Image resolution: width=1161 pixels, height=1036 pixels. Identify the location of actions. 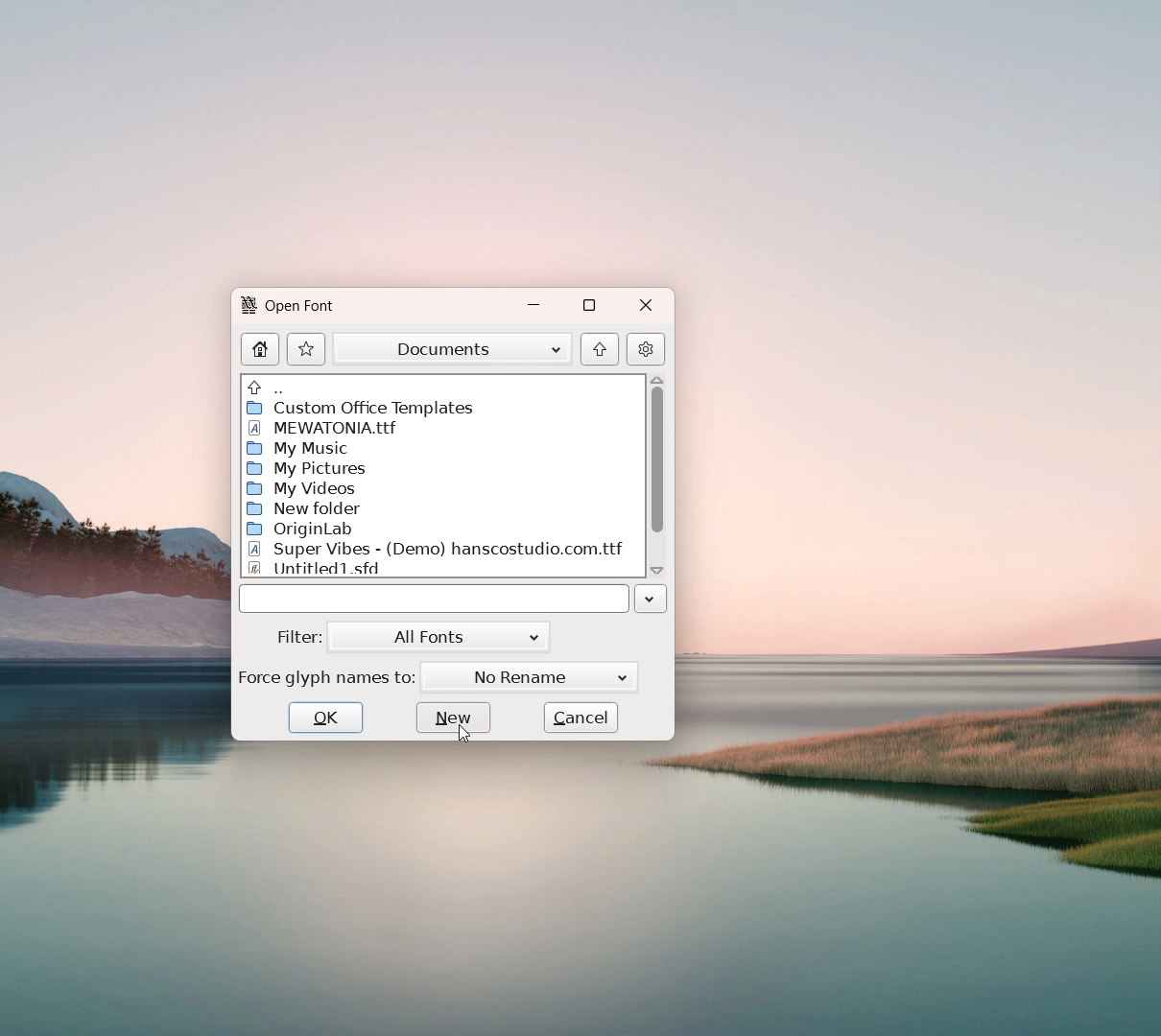
(306, 348).